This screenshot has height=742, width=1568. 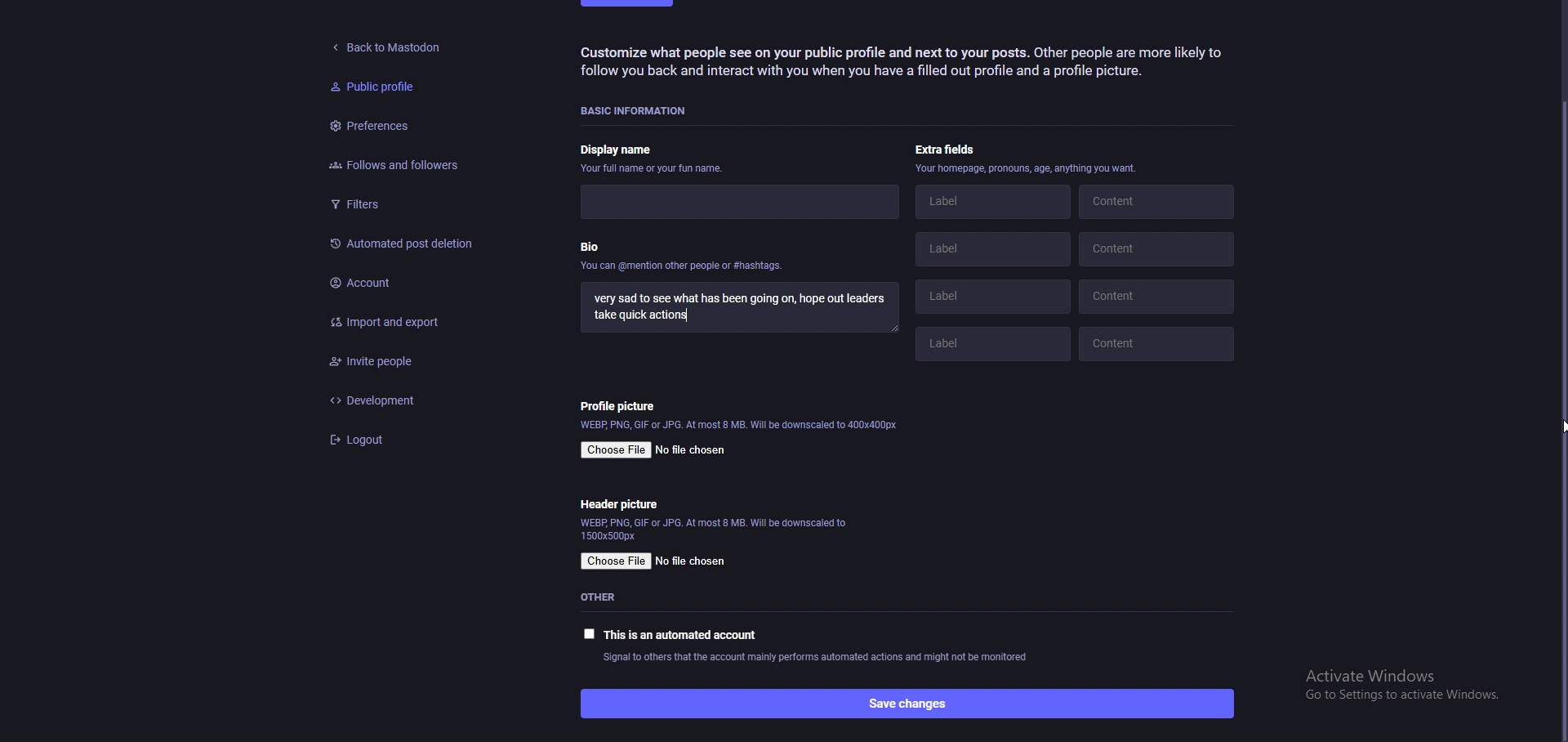 I want to click on content, so click(x=1159, y=340).